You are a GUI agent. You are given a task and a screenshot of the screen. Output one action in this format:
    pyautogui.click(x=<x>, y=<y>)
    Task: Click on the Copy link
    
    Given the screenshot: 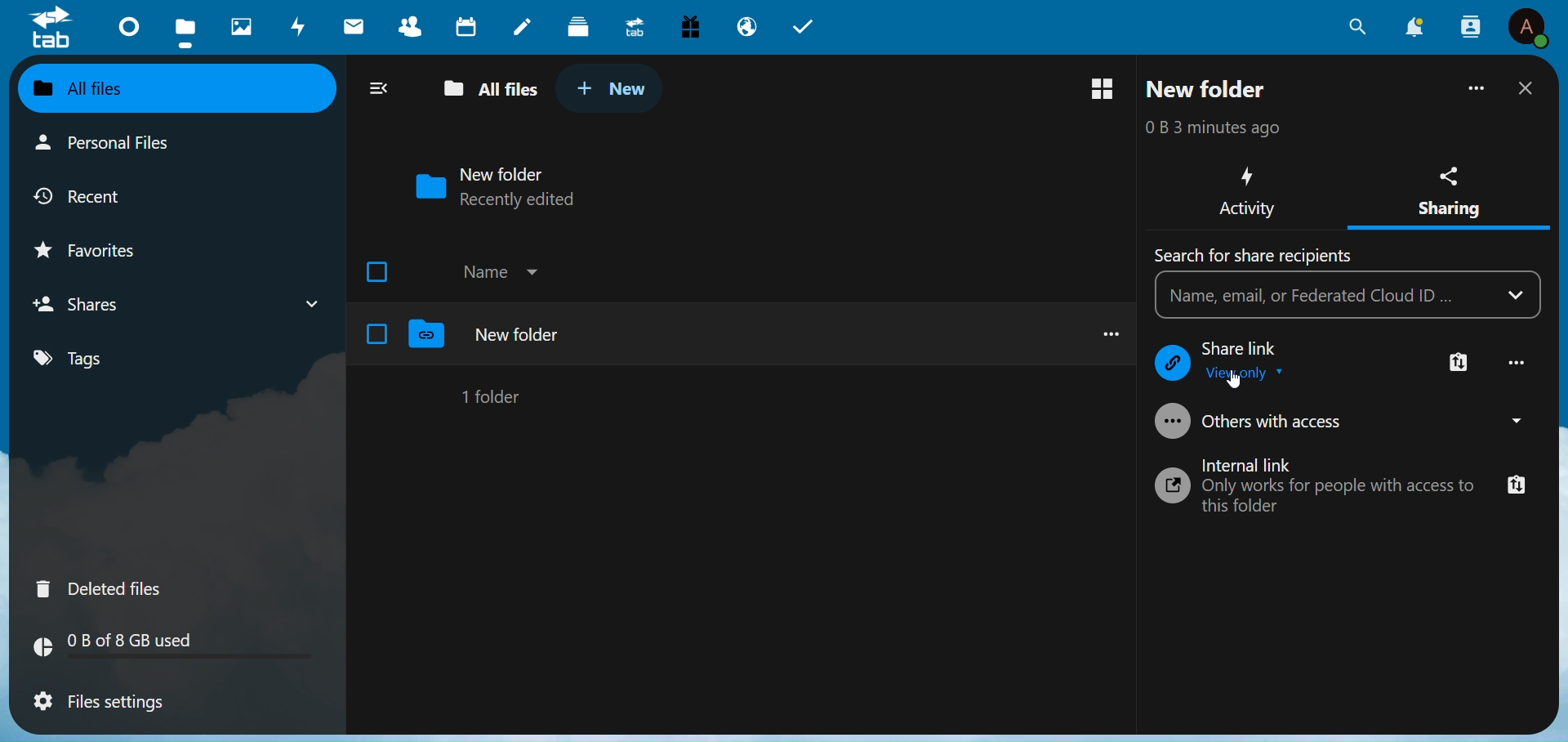 What is the action you would take?
    pyautogui.click(x=1517, y=488)
    